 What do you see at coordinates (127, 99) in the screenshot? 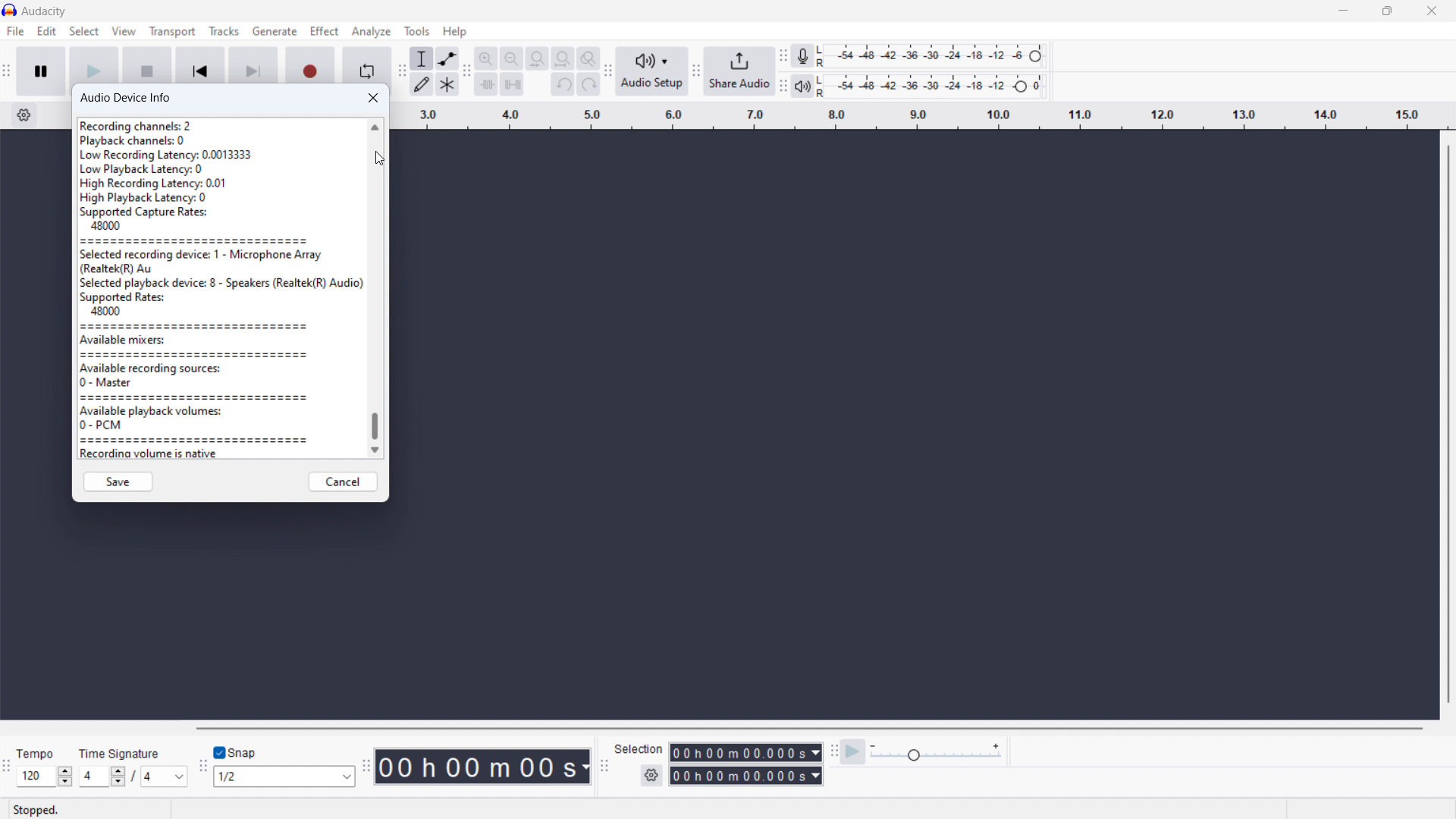
I see `audio device info` at bounding box center [127, 99].